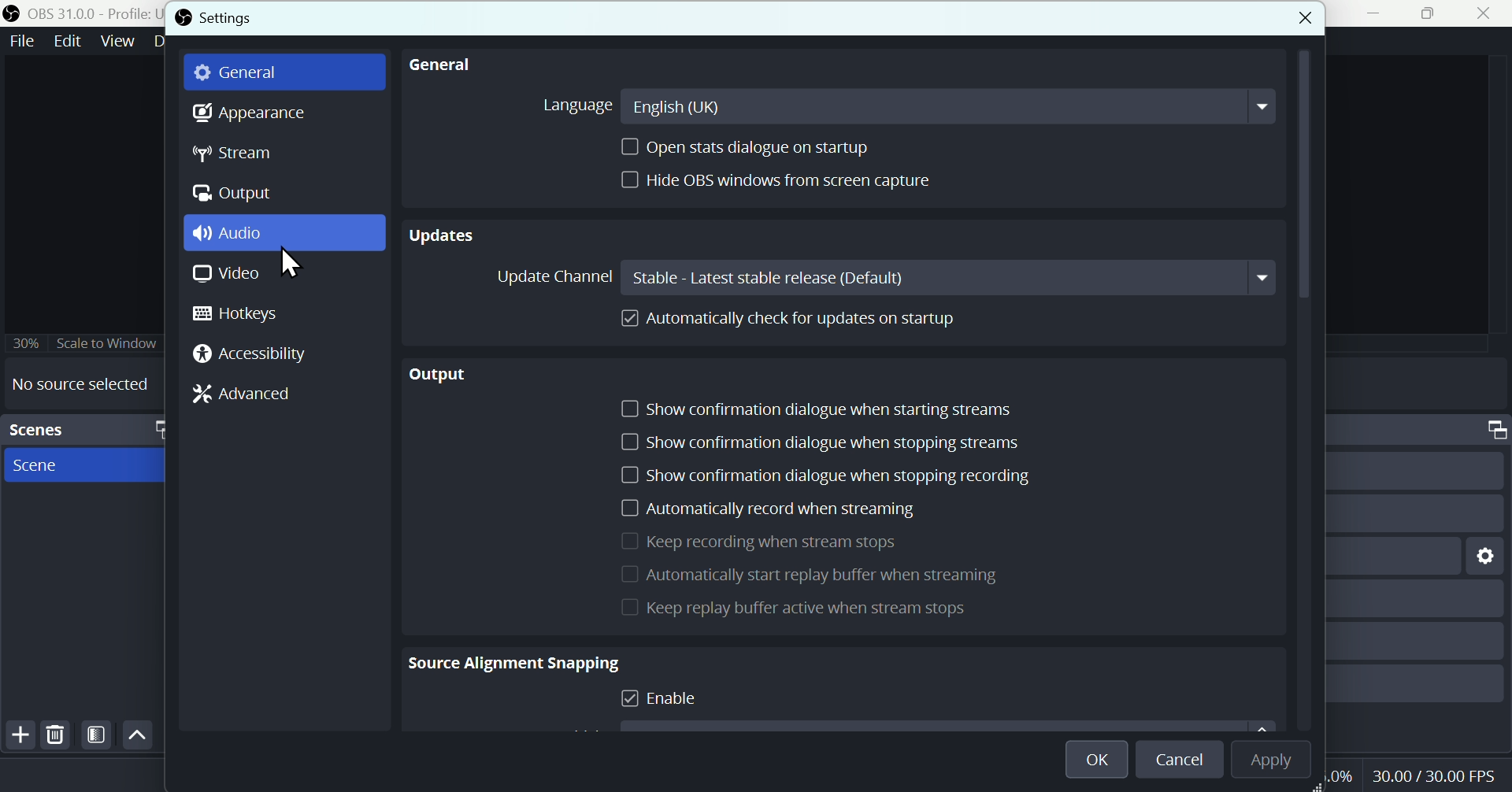 The width and height of the screenshot is (1512, 792). I want to click on Close, so click(1488, 13).